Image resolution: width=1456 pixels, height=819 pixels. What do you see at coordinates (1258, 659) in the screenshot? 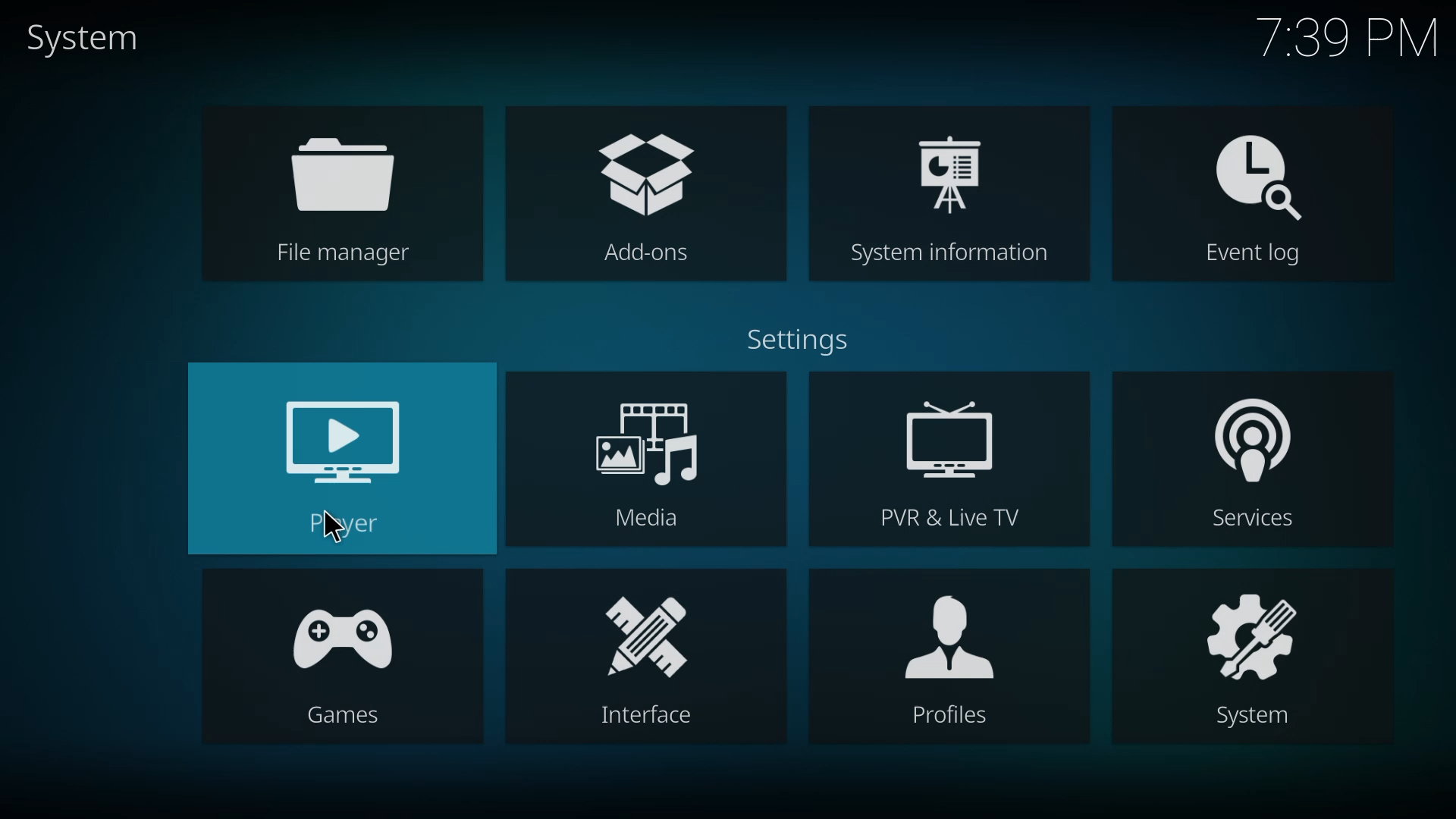
I see `system` at bounding box center [1258, 659].